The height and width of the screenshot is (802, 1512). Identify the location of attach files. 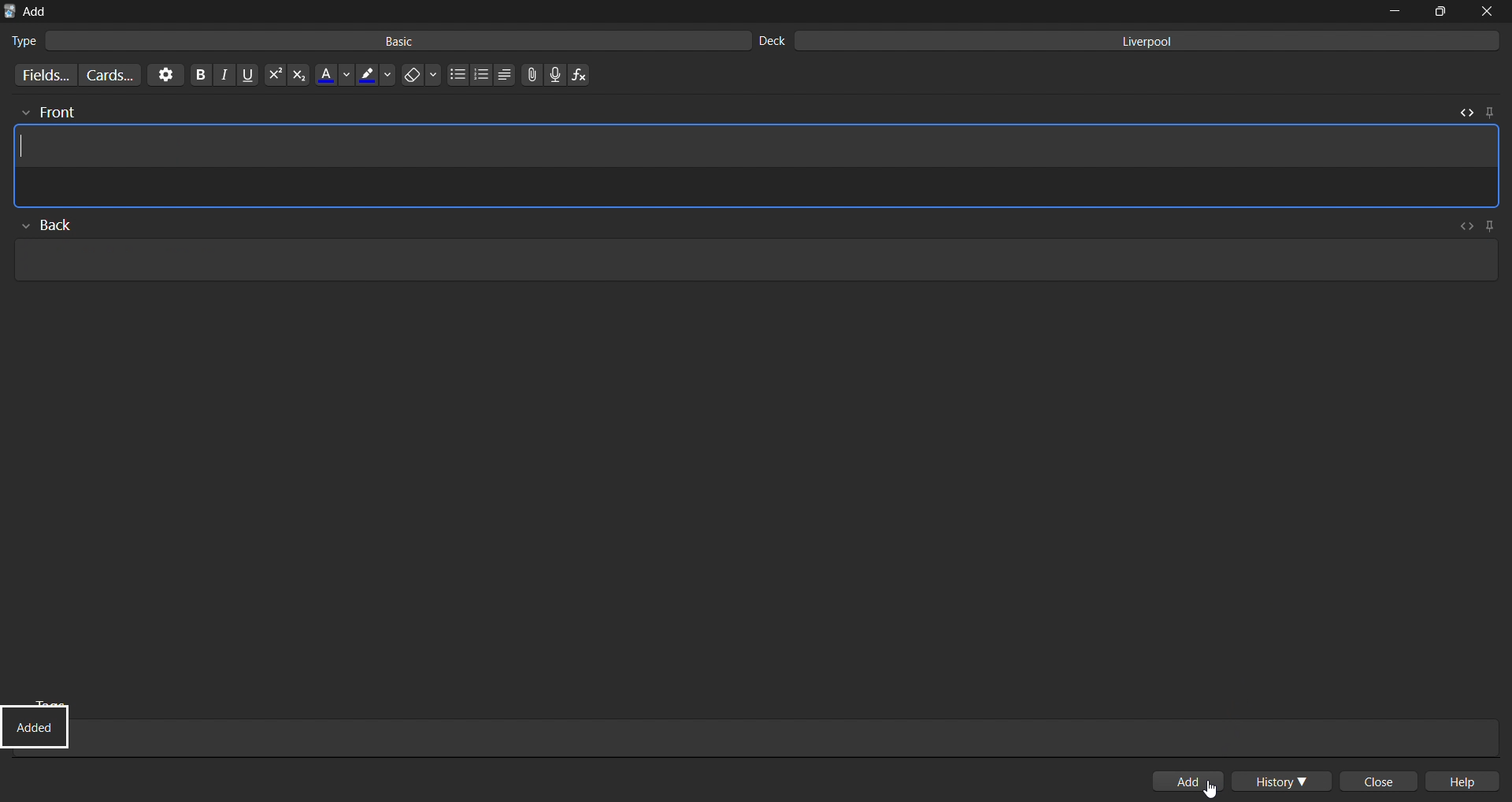
(531, 75).